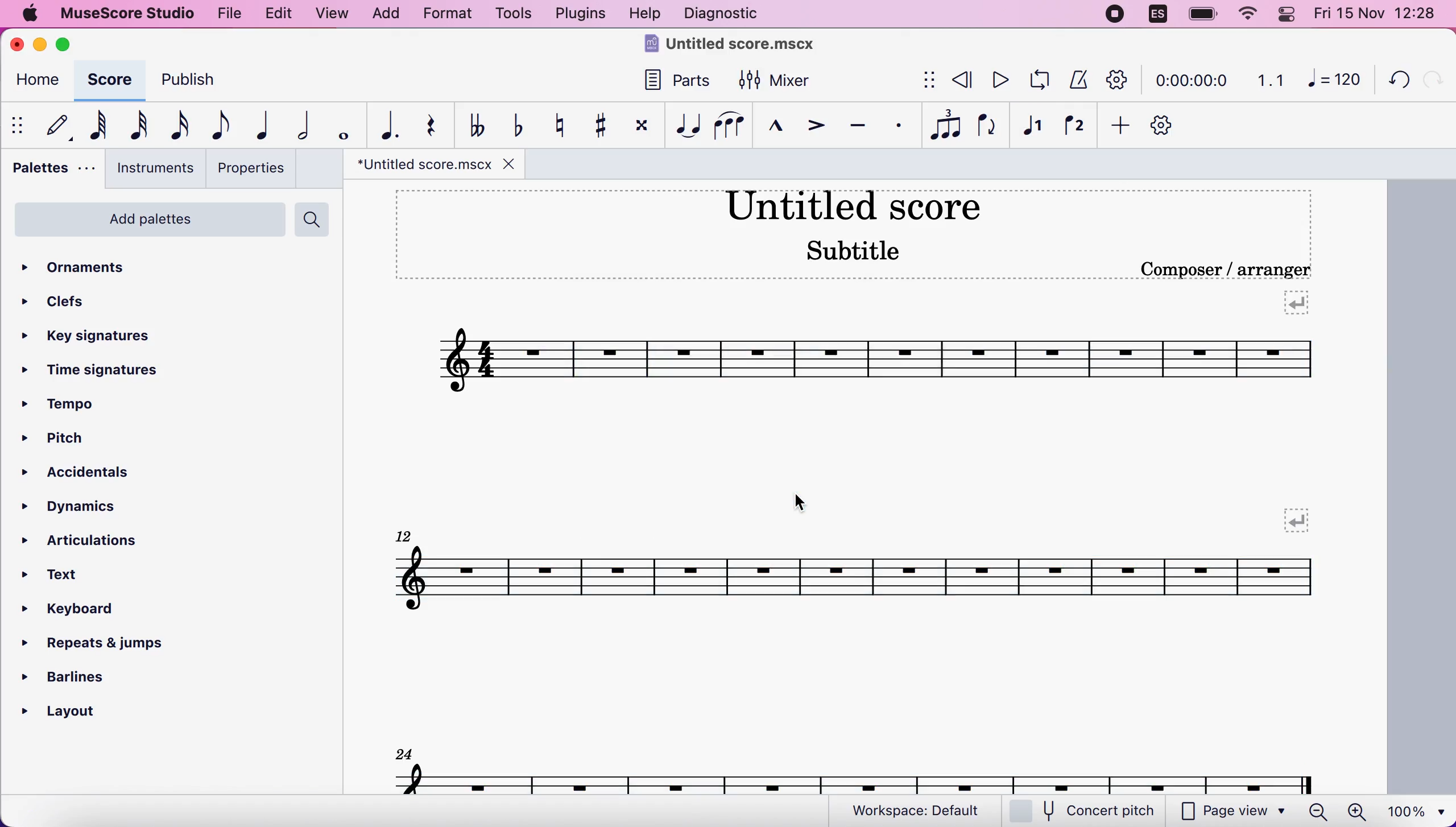 This screenshot has height=827, width=1456. Describe the element at coordinates (333, 15) in the screenshot. I see `view` at that location.